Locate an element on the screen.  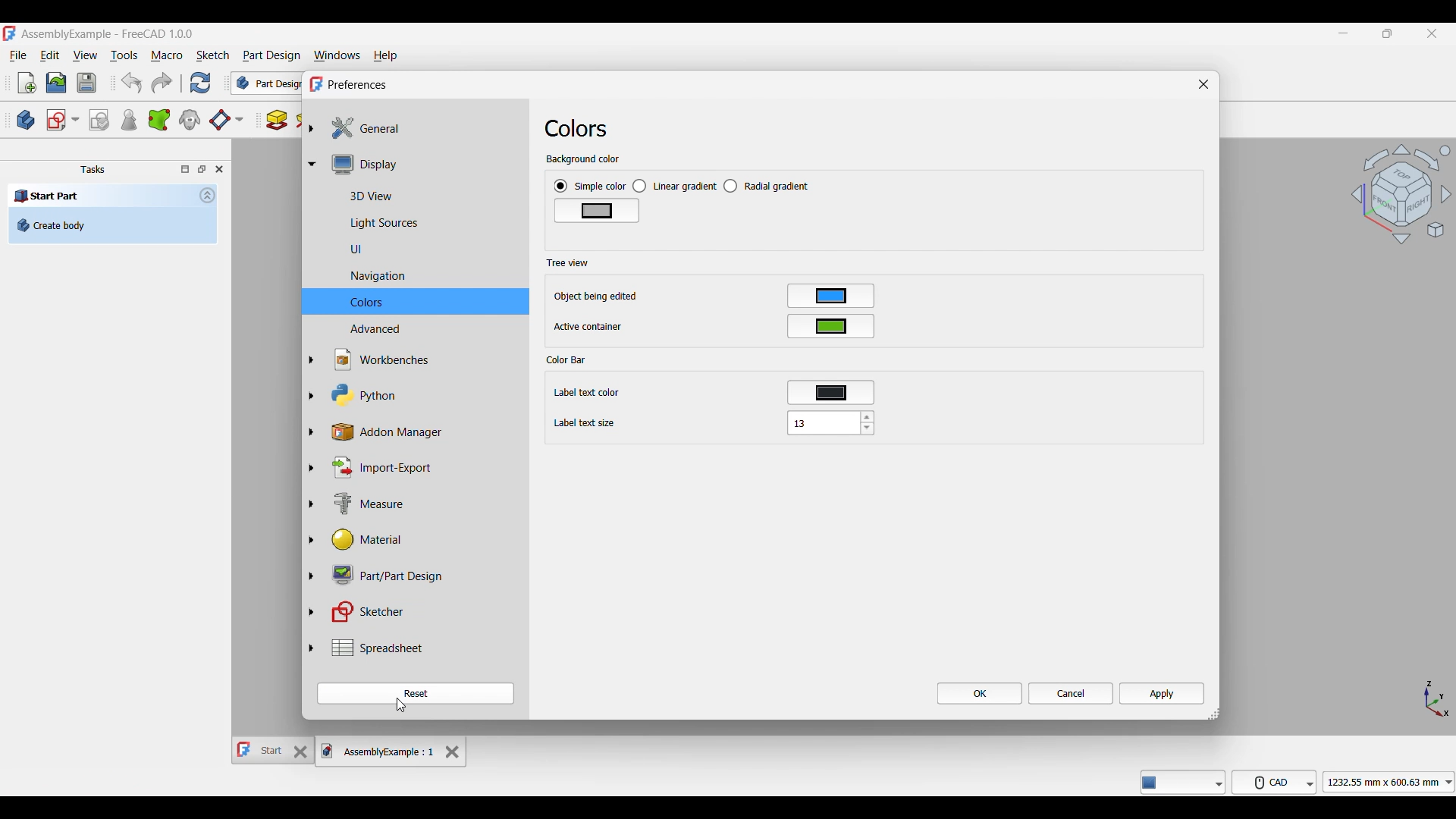
Help menu is located at coordinates (385, 56).